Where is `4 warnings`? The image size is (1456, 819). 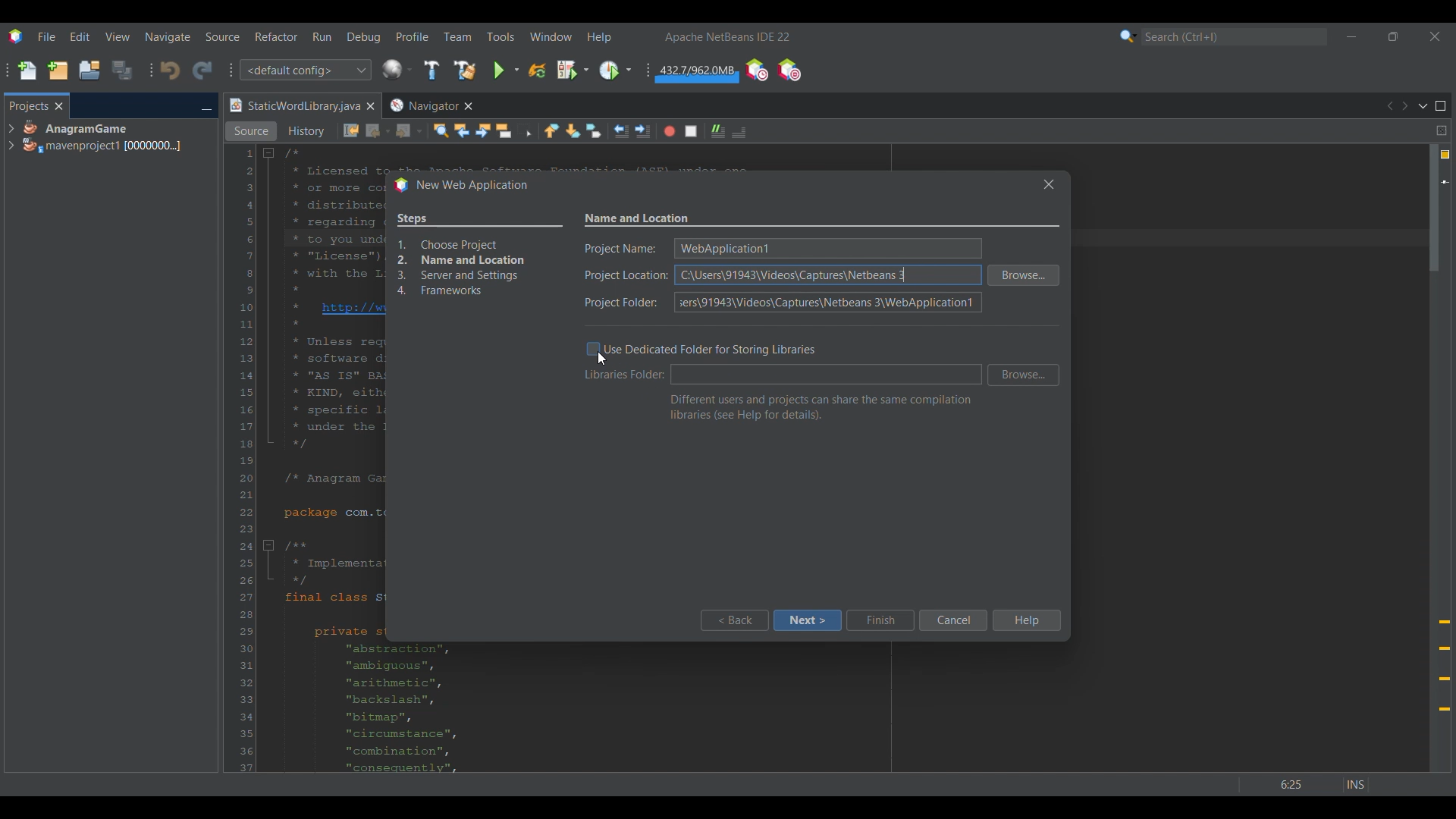 4 warnings is located at coordinates (1445, 155).